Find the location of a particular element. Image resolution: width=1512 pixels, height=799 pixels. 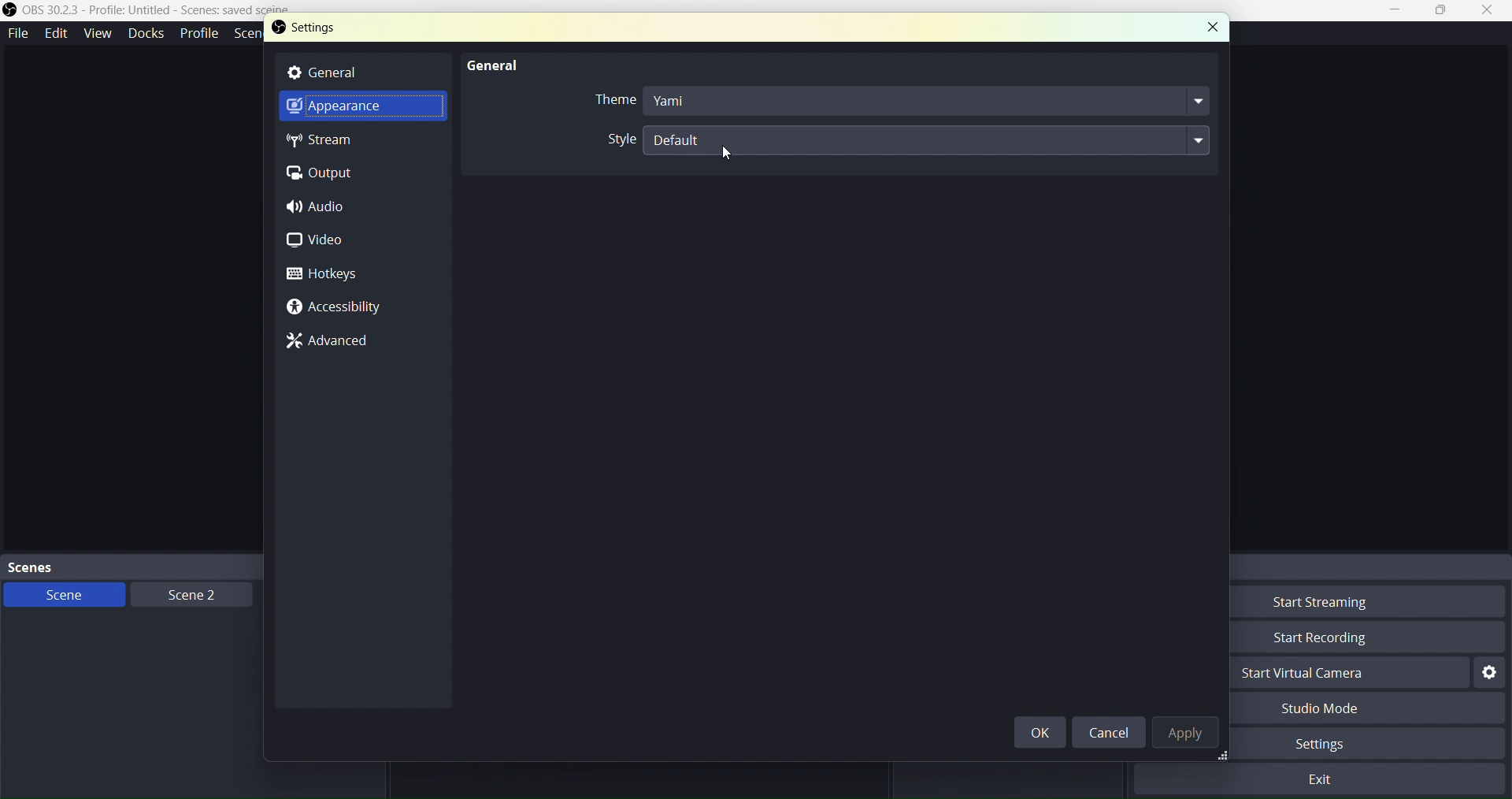

Scenes is located at coordinates (173, 566).